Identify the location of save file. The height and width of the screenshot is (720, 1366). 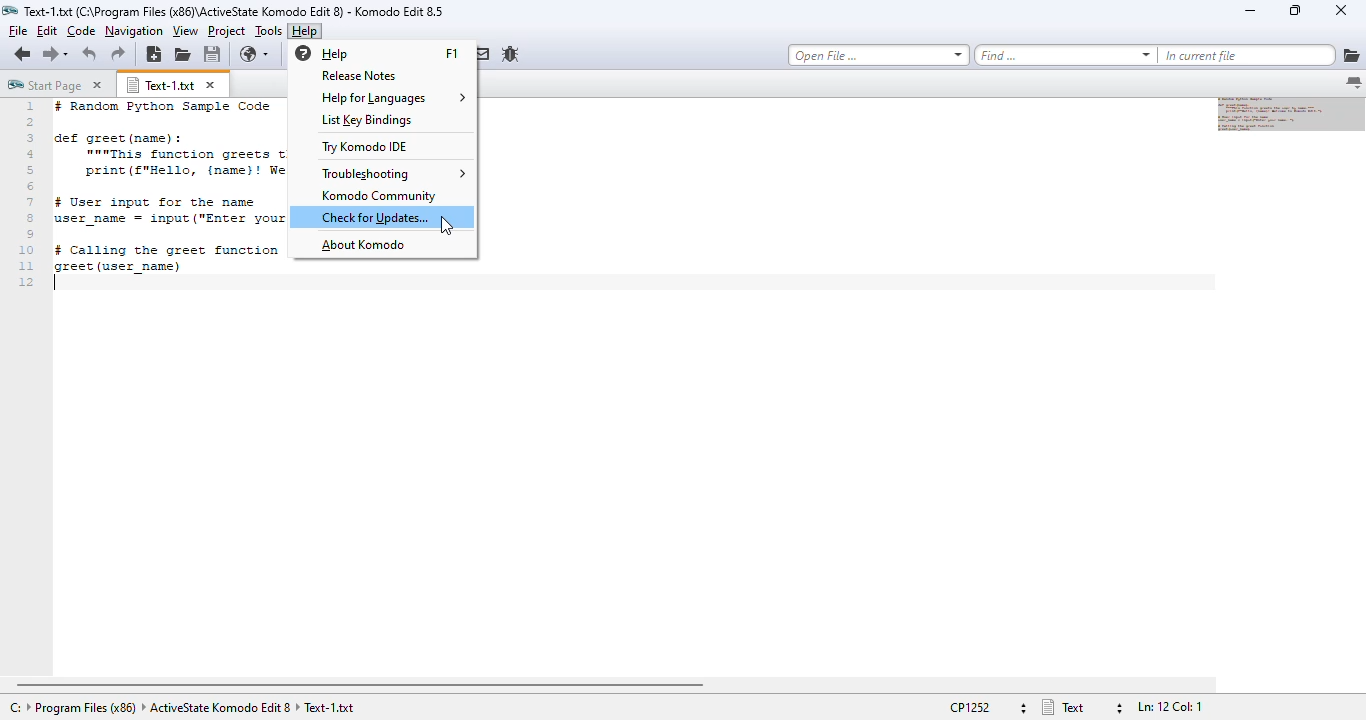
(212, 55).